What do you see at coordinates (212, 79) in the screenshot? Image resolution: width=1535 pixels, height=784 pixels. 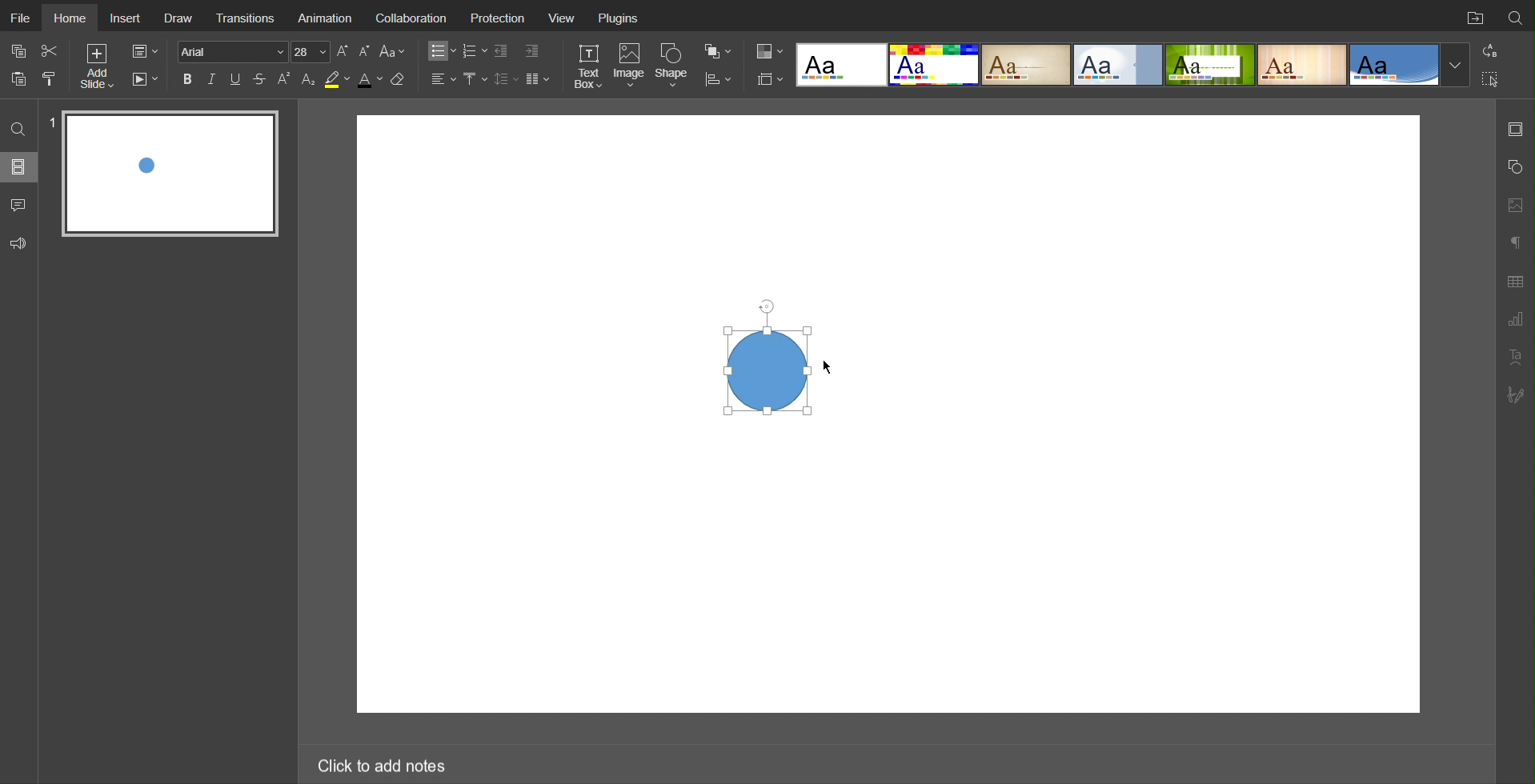 I see `Italics` at bounding box center [212, 79].